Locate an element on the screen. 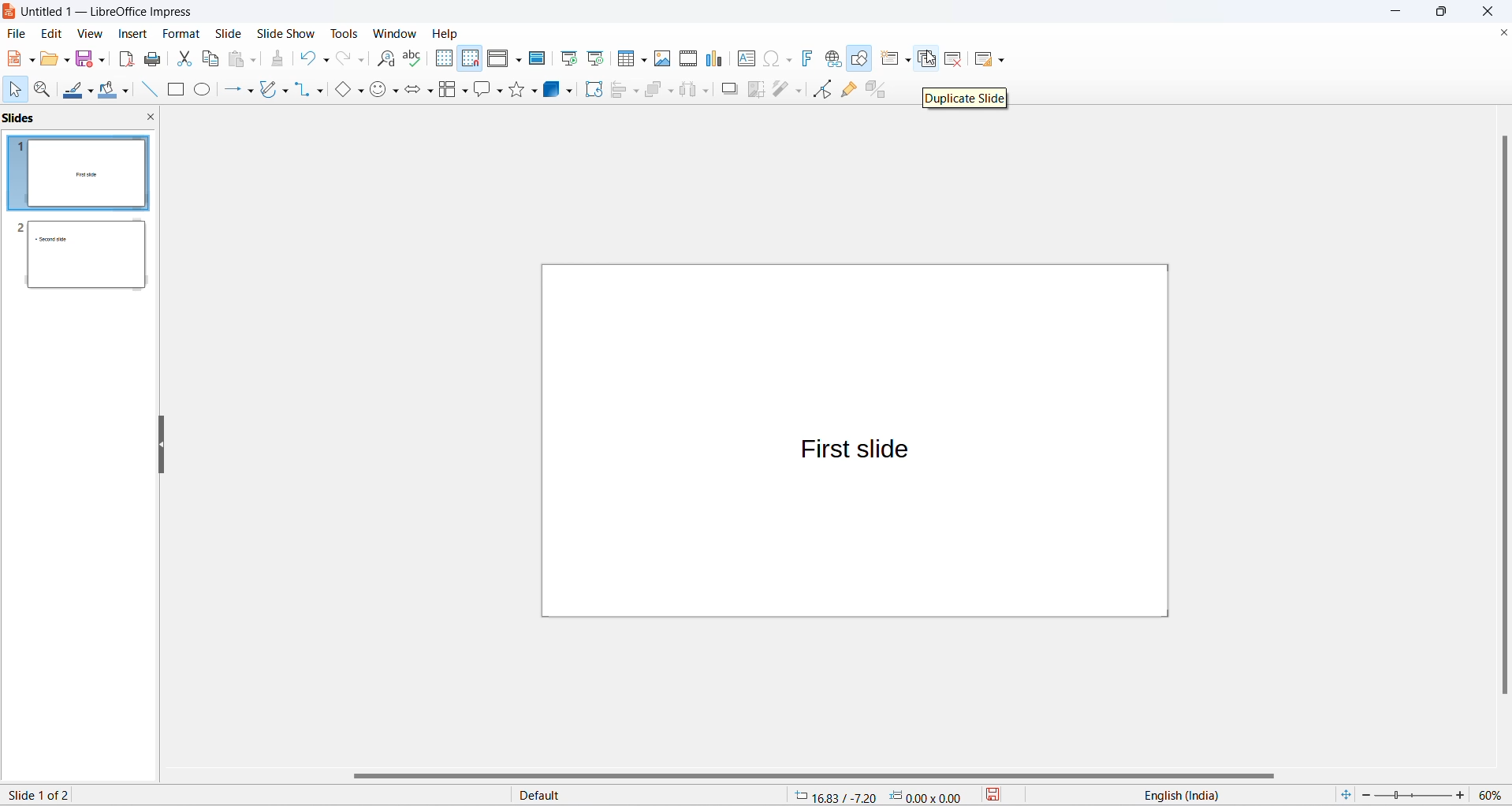  maximize is located at coordinates (1443, 13).